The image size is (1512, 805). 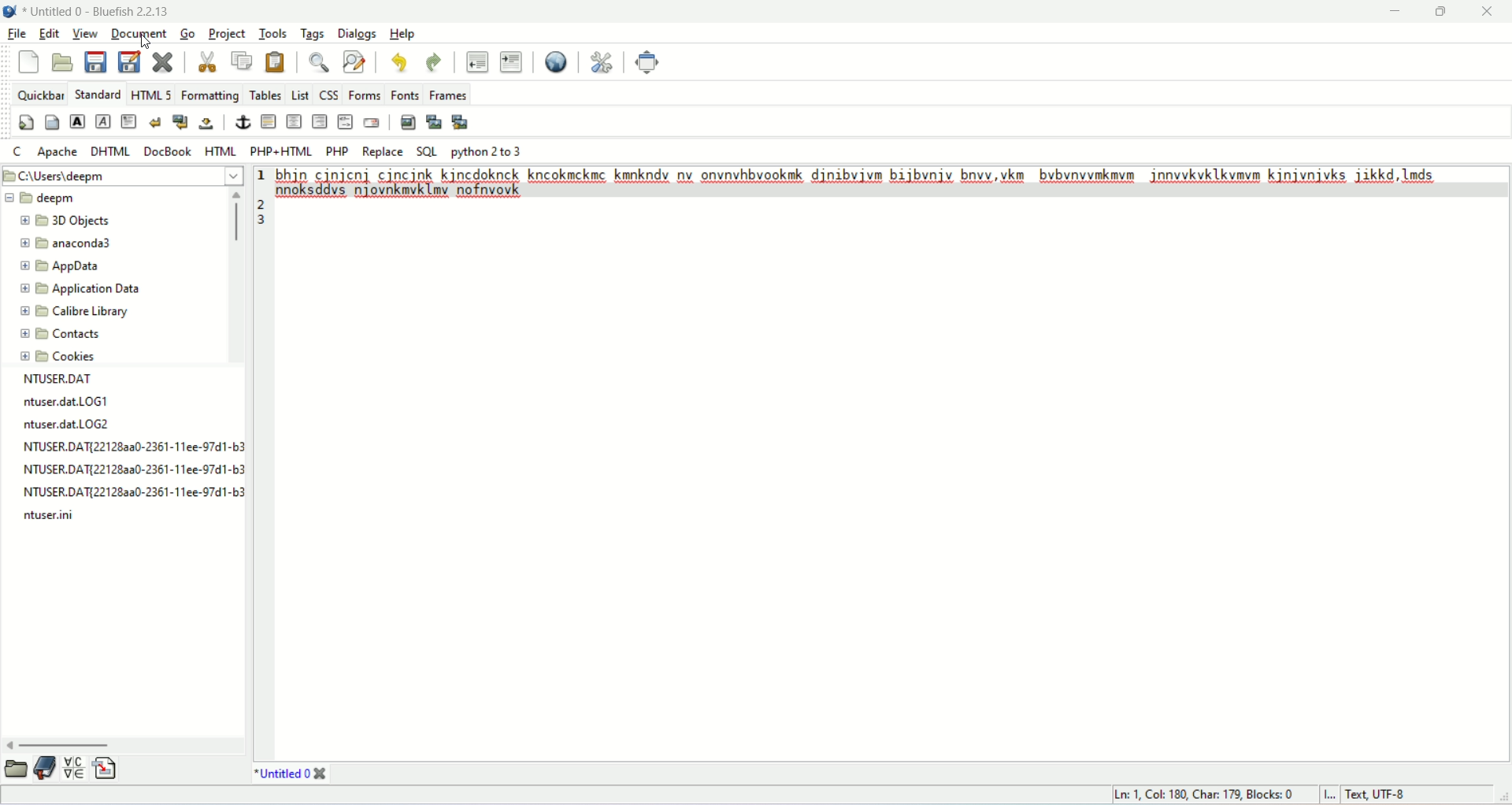 What do you see at coordinates (511, 61) in the screenshot?
I see `indent` at bounding box center [511, 61].